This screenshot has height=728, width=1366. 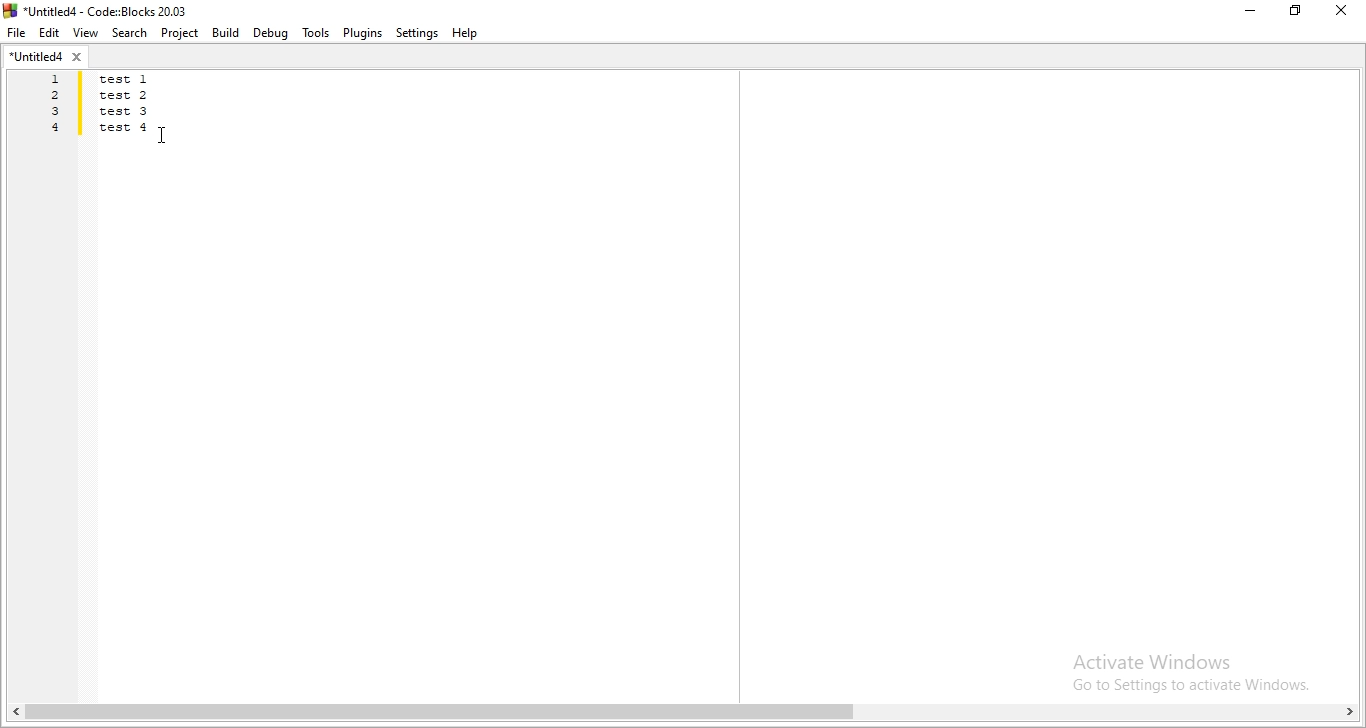 What do you see at coordinates (314, 32) in the screenshot?
I see `Tools ` at bounding box center [314, 32].